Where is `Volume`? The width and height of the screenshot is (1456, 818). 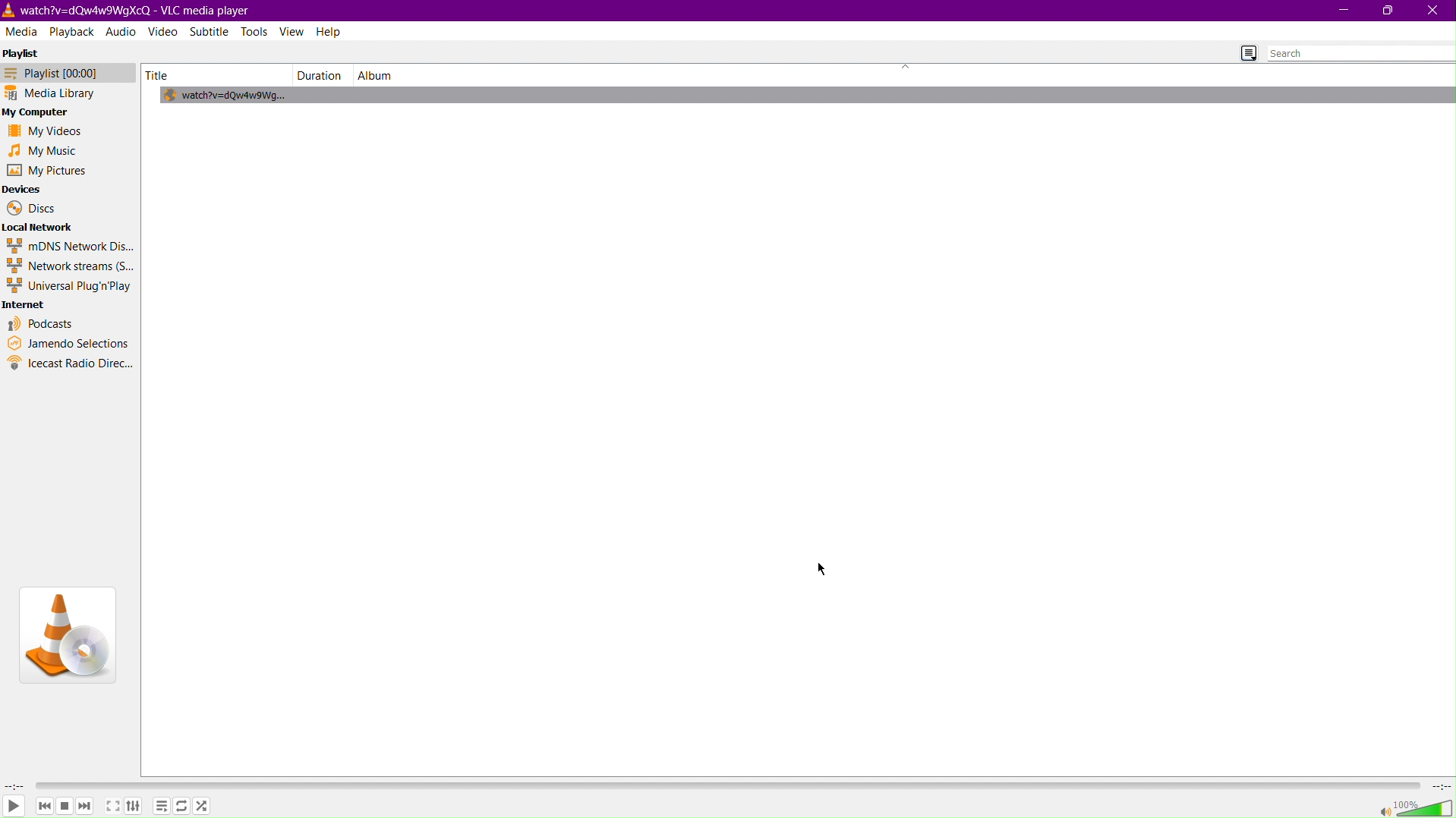 Volume is located at coordinates (1412, 807).